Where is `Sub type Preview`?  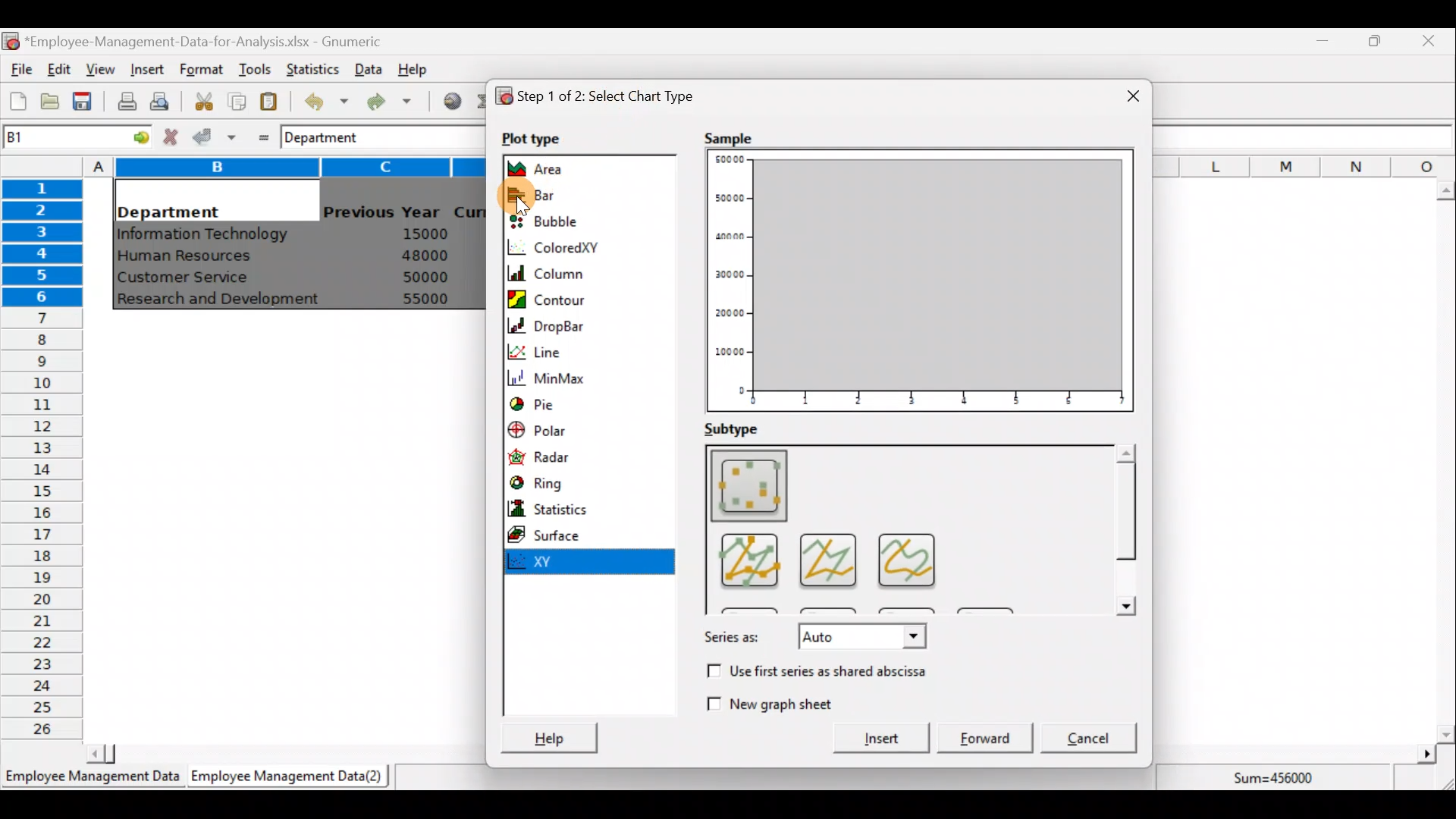
Sub type Preview is located at coordinates (911, 529).